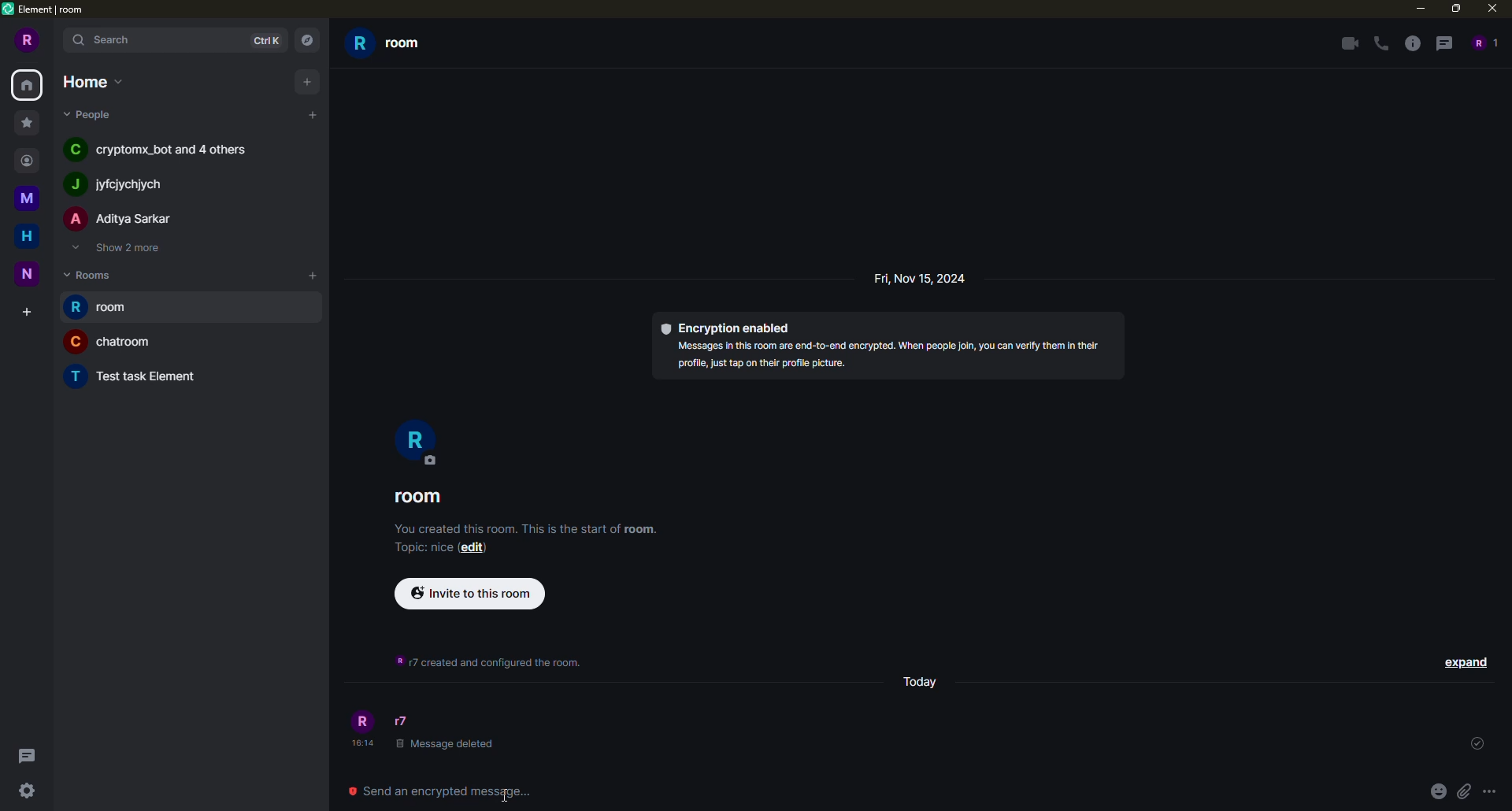 The width and height of the screenshot is (1512, 811). I want to click on threads, so click(27, 754).